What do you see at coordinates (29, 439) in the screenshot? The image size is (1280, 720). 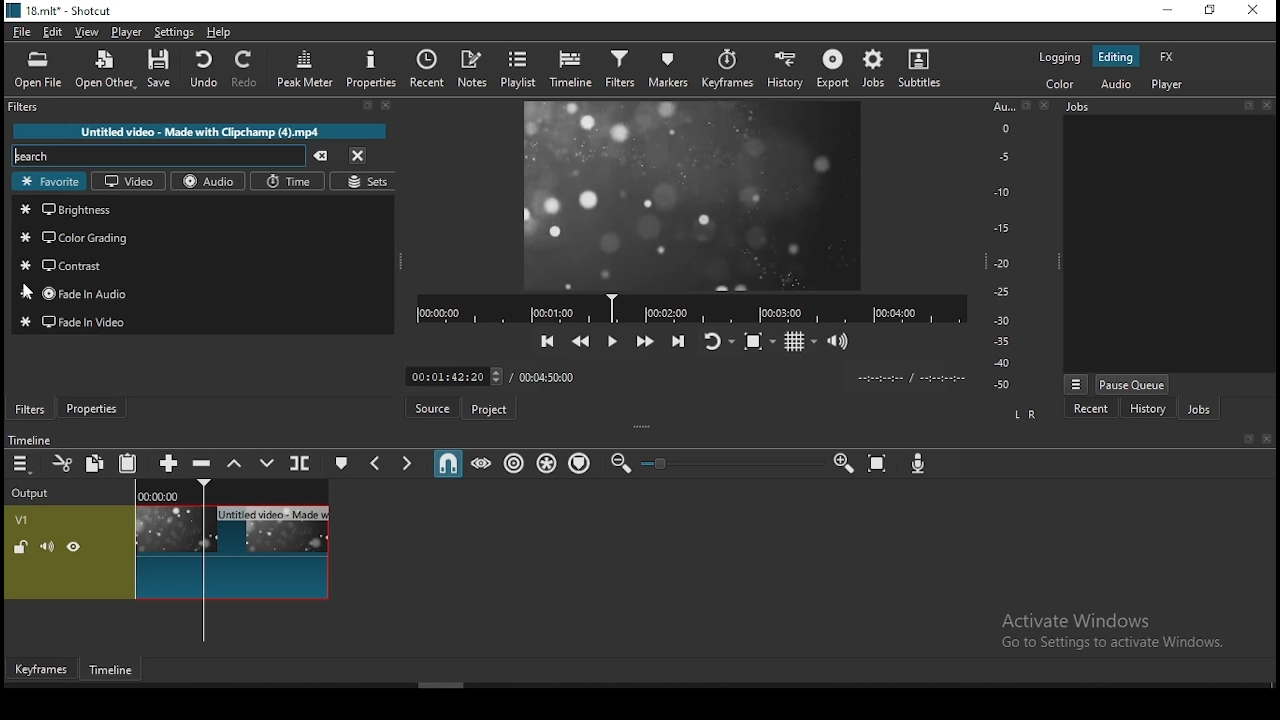 I see `Timeline` at bounding box center [29, 439].